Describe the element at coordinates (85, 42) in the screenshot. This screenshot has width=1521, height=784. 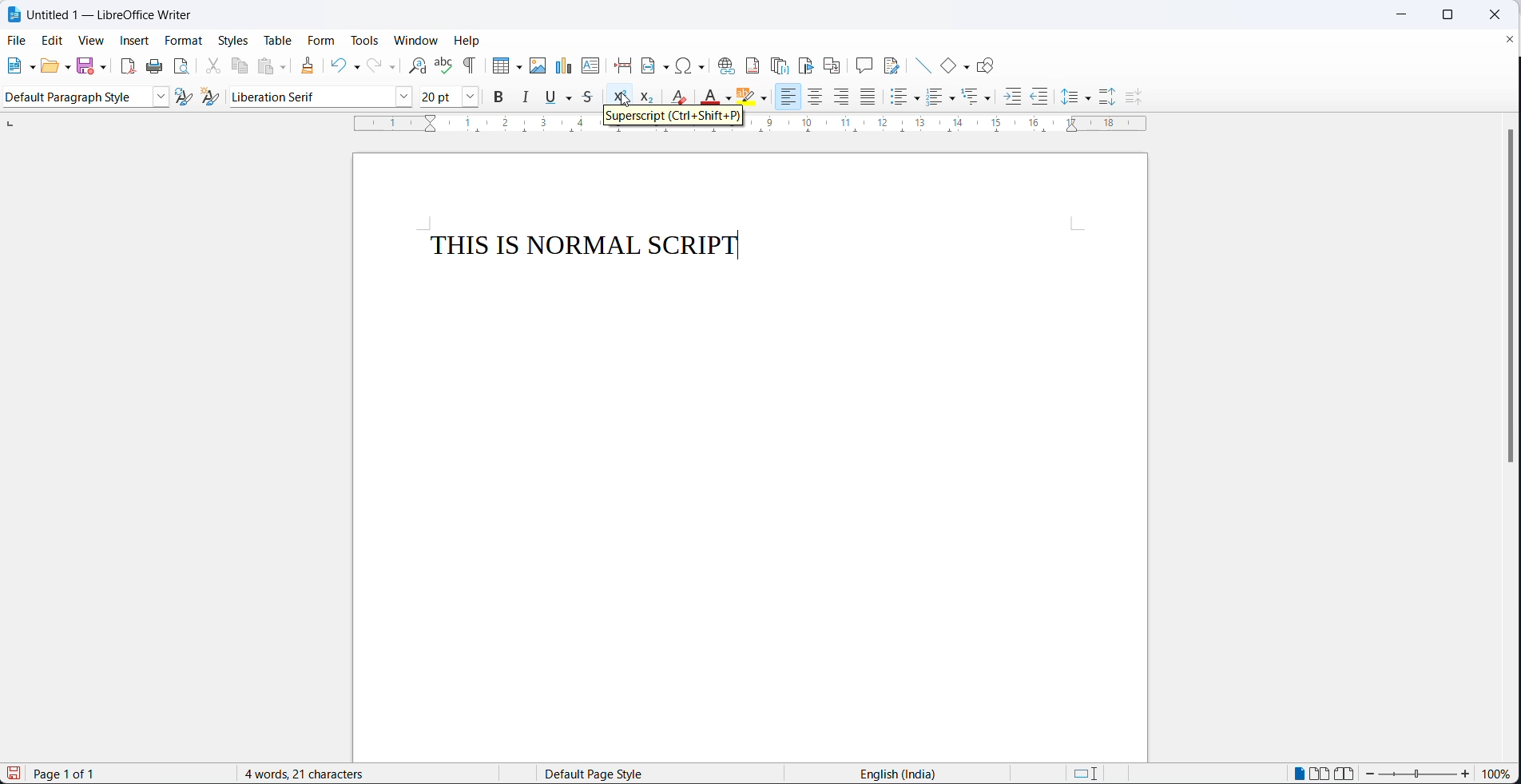
I see `view` at that location.